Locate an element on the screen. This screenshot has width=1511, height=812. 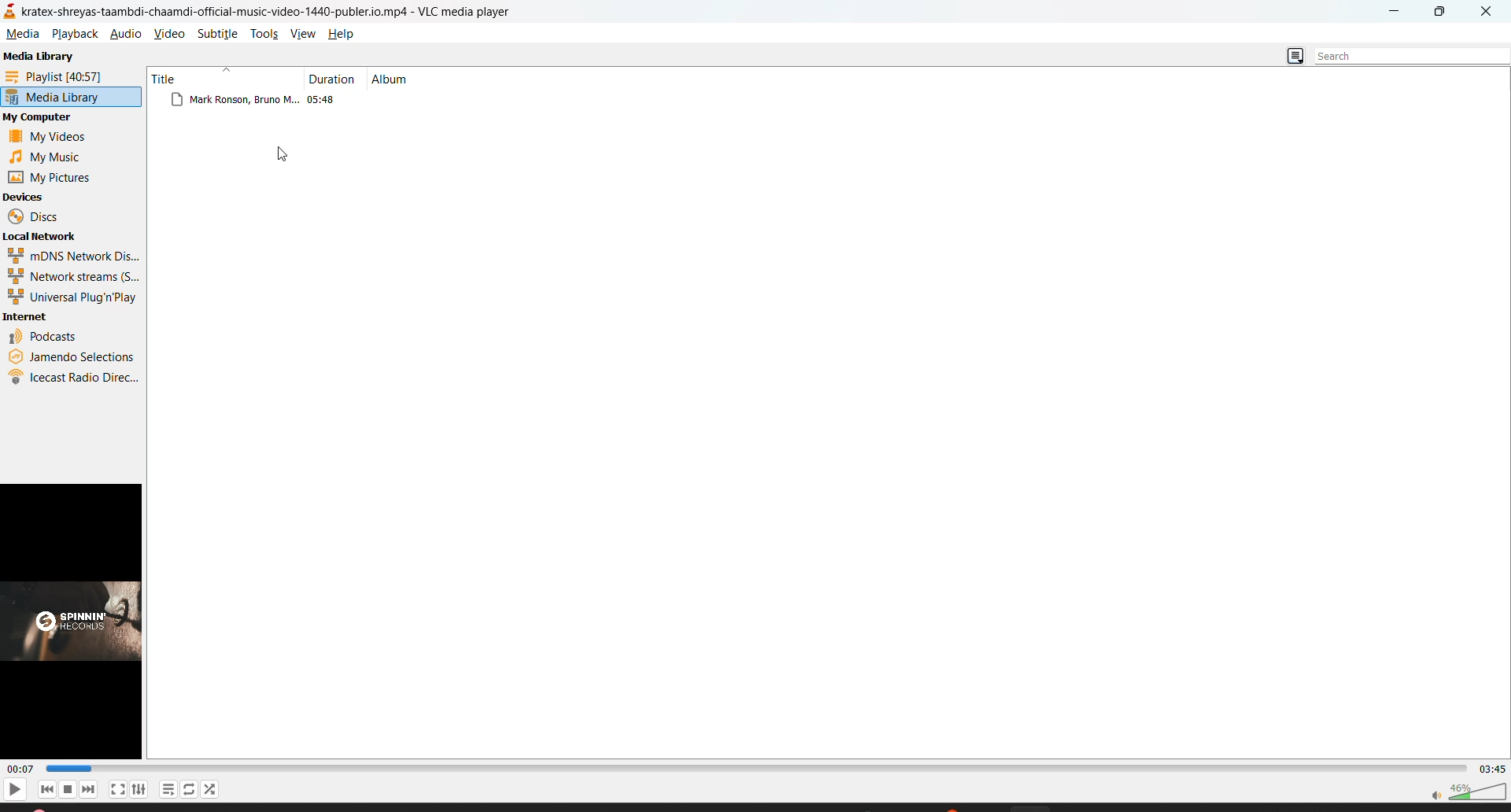
close is located at coordinates (1483, 13).